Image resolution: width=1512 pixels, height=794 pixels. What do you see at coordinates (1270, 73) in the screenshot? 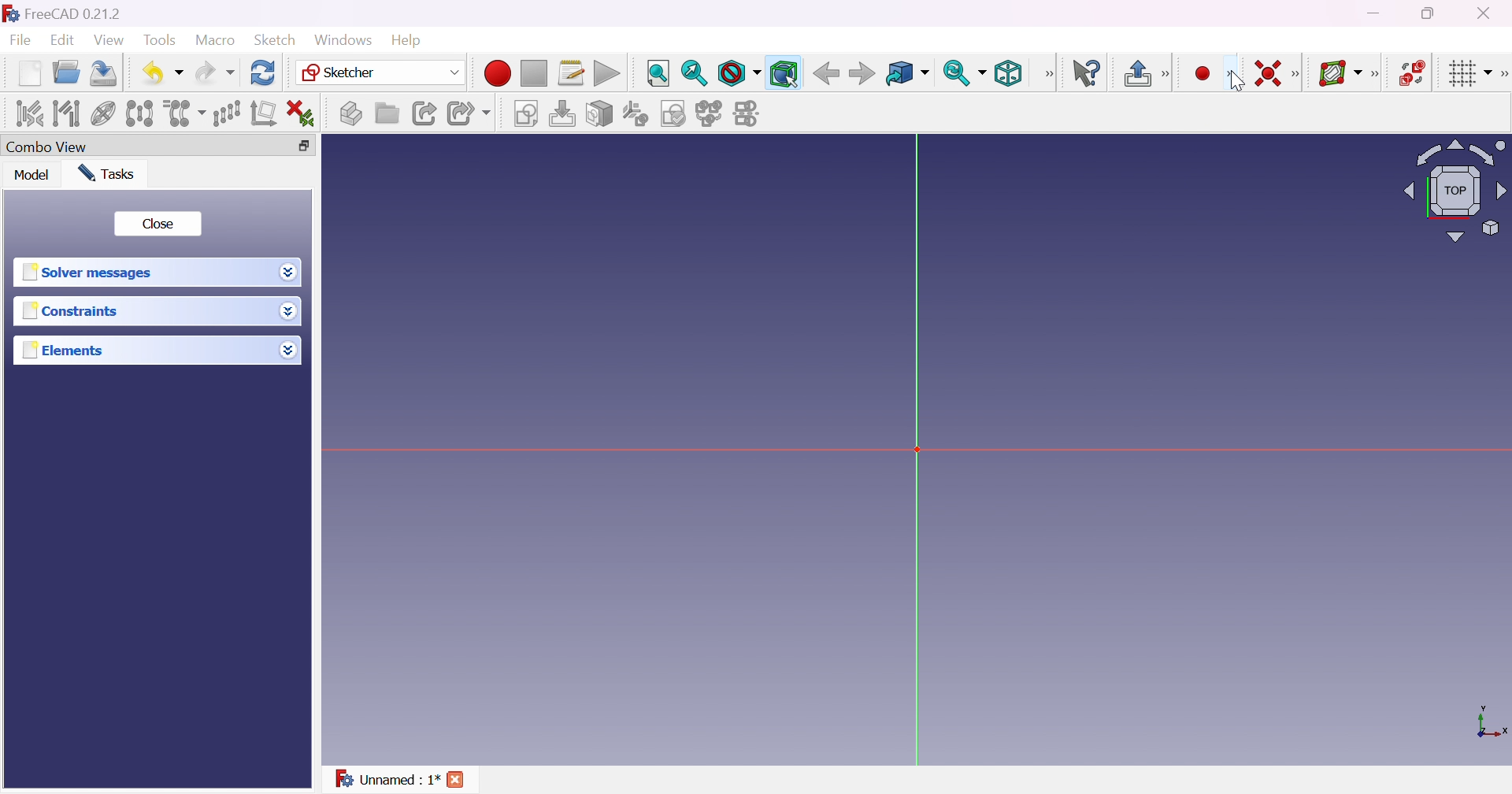
I see `Constrain coincident` at bounding box center [1270, 73].